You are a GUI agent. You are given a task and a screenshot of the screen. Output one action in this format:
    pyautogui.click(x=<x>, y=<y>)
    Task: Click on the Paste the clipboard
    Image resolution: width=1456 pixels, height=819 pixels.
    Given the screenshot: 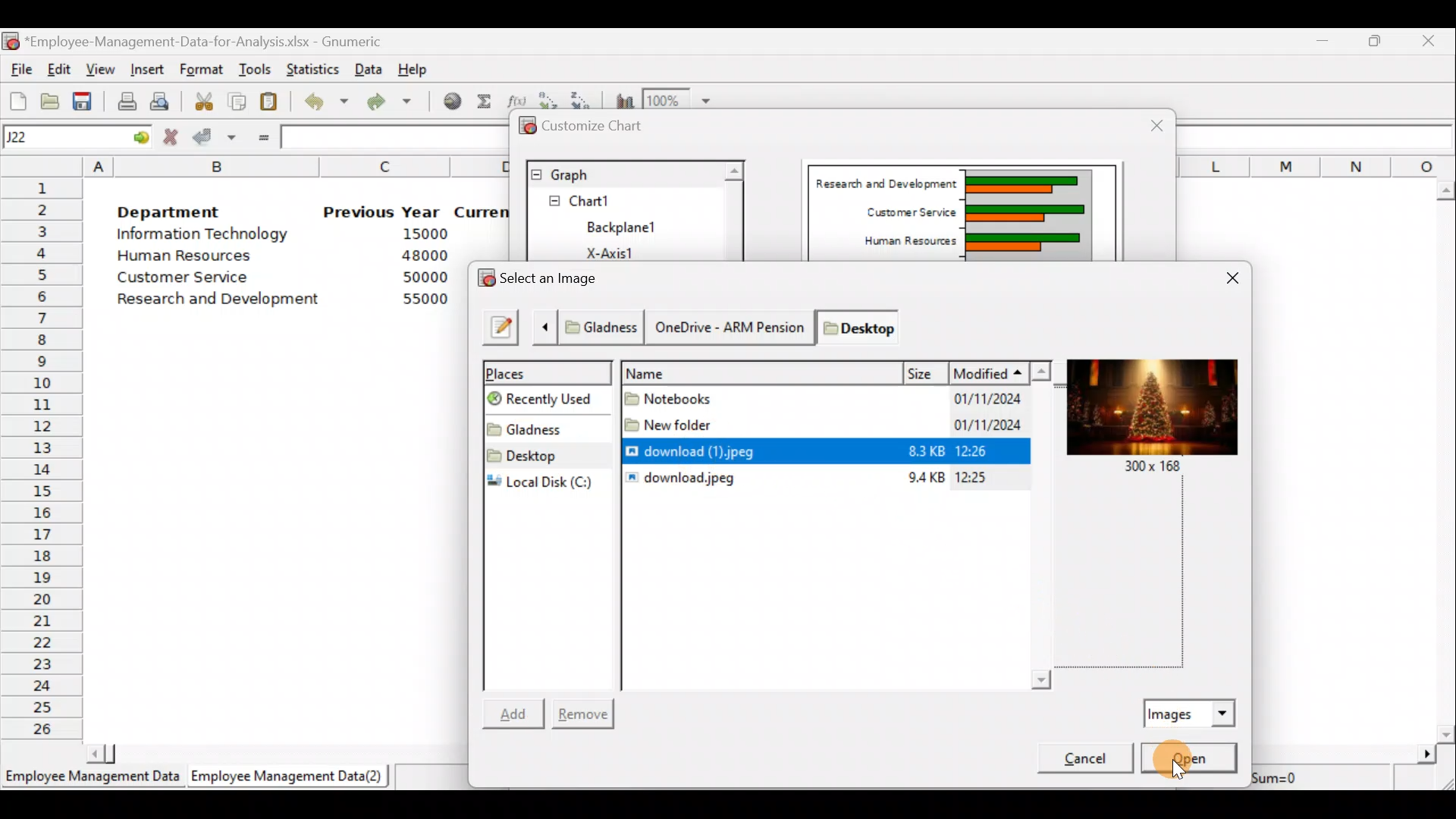 What is the action you would take?
    pyautogui.click(x=273, y=103)
    